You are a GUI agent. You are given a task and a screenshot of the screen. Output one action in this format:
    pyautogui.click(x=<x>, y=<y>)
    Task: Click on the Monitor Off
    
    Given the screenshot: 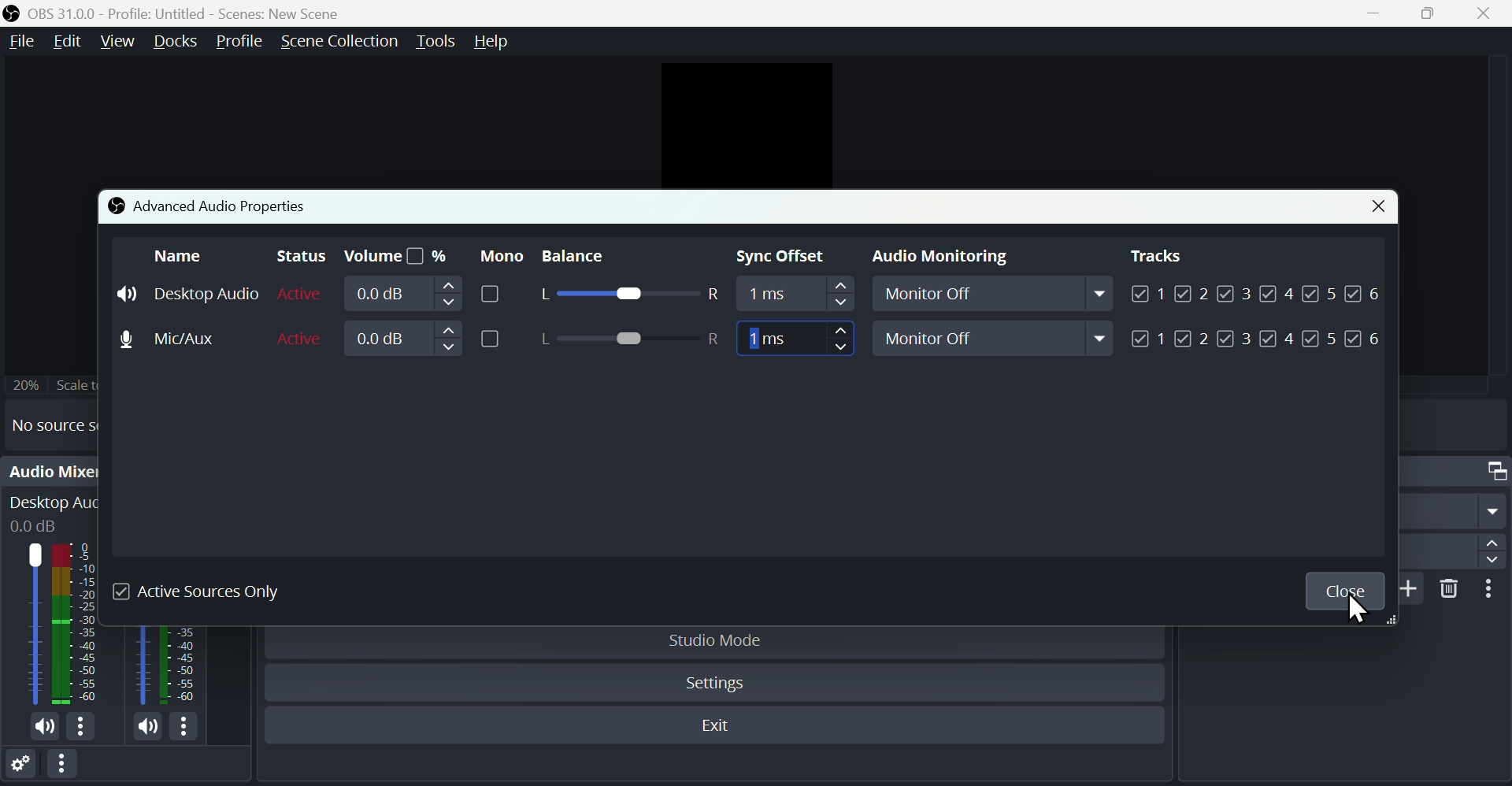 What is the action you would take?
    pyautogui.click(x=995, y=338)
    